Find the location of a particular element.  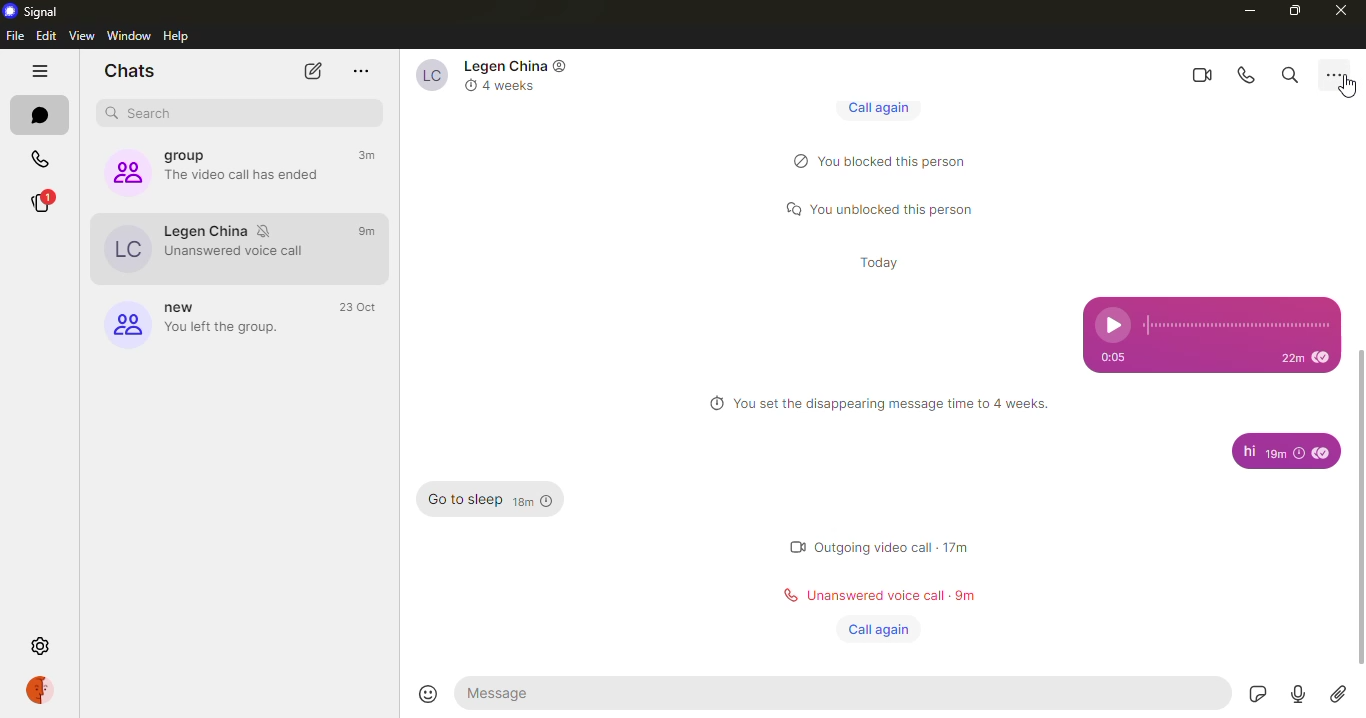

time is located at coordinates (1113, 358).